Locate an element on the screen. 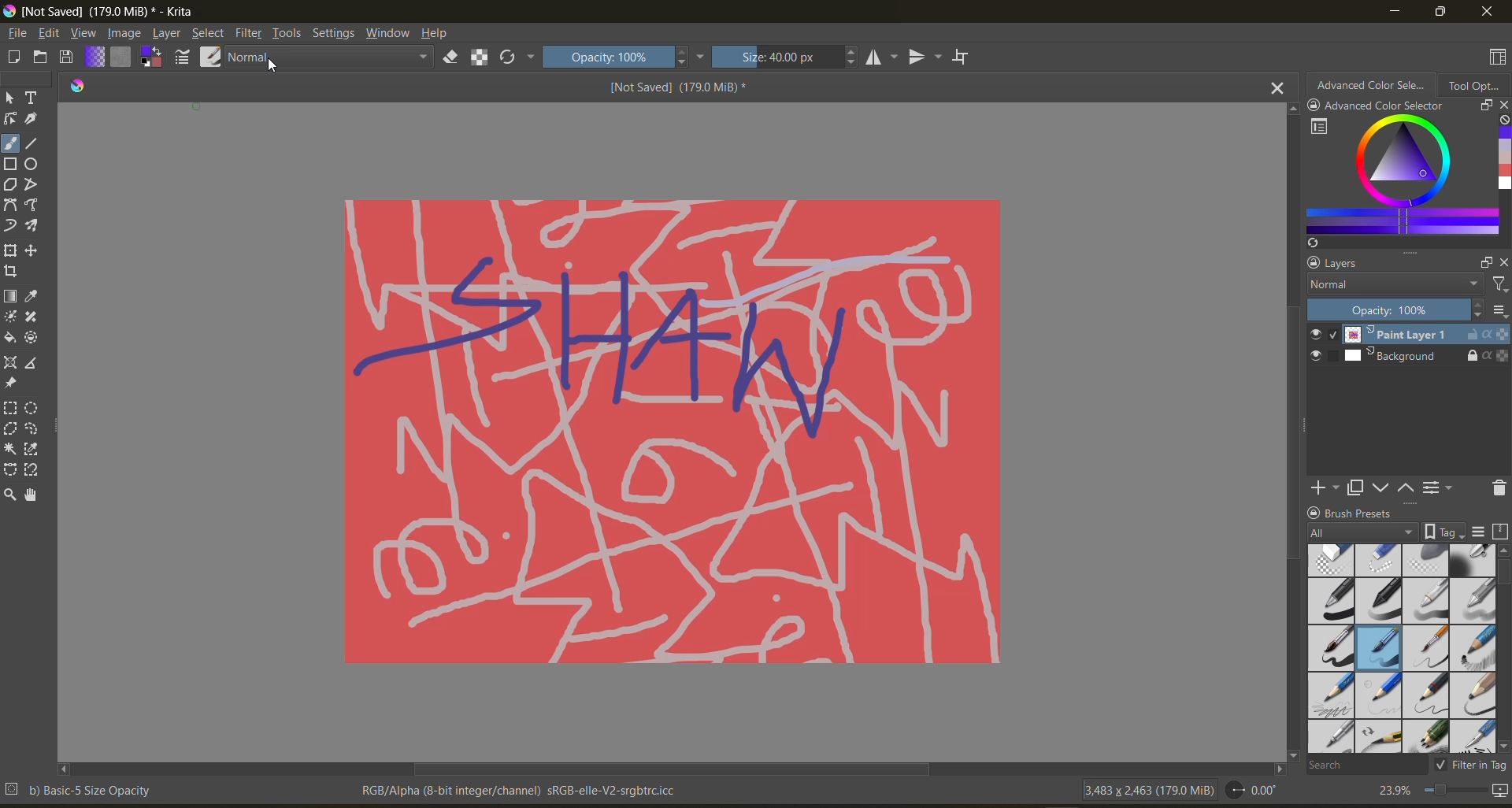 This screenshot has width=1512, height=808. Bezier curve selection tool is located at coordinates (12, 470).